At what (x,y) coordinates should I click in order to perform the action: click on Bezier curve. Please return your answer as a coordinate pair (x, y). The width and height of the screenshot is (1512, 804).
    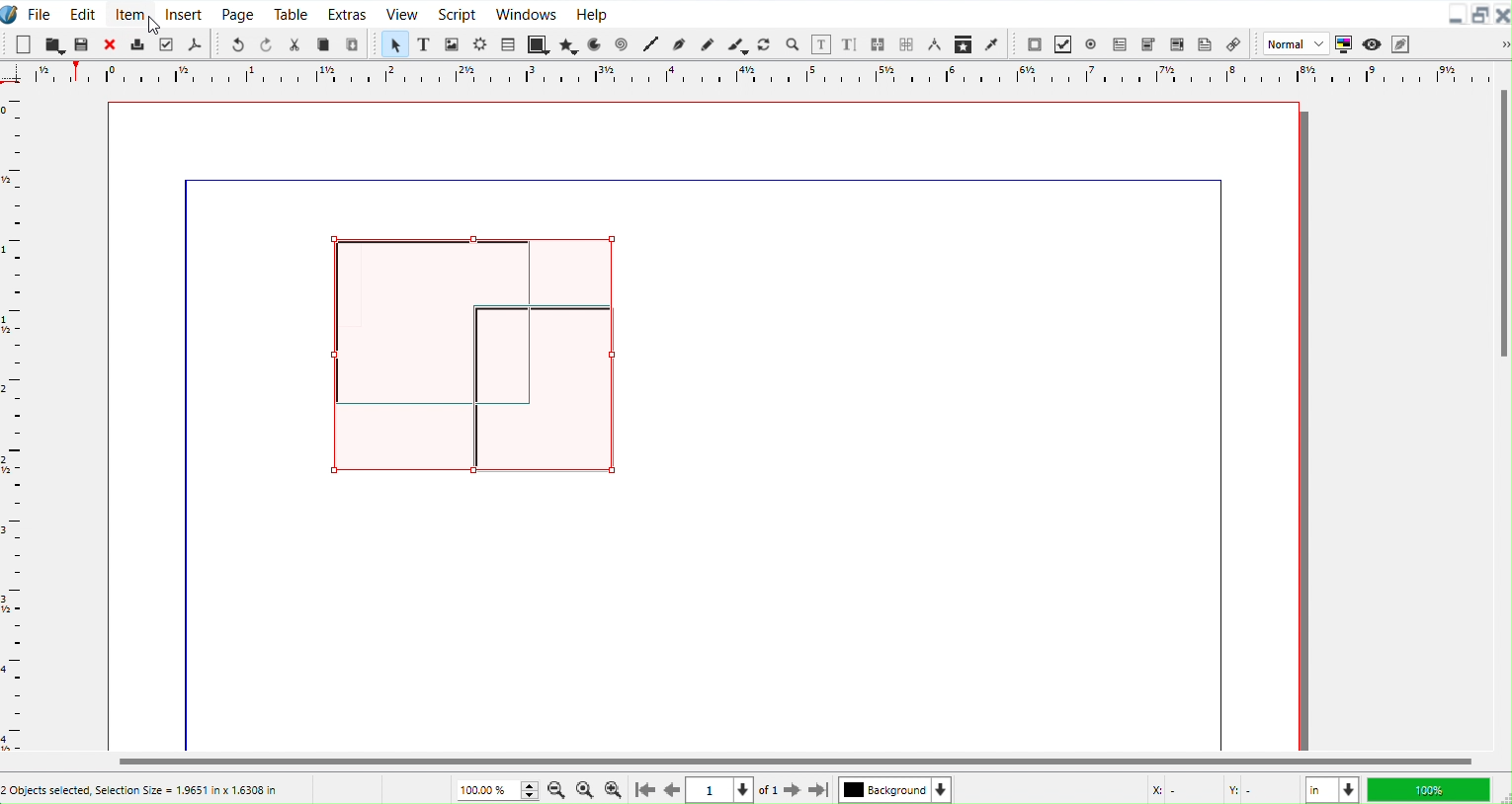
    Looking at the image, I should click on (680, 45).